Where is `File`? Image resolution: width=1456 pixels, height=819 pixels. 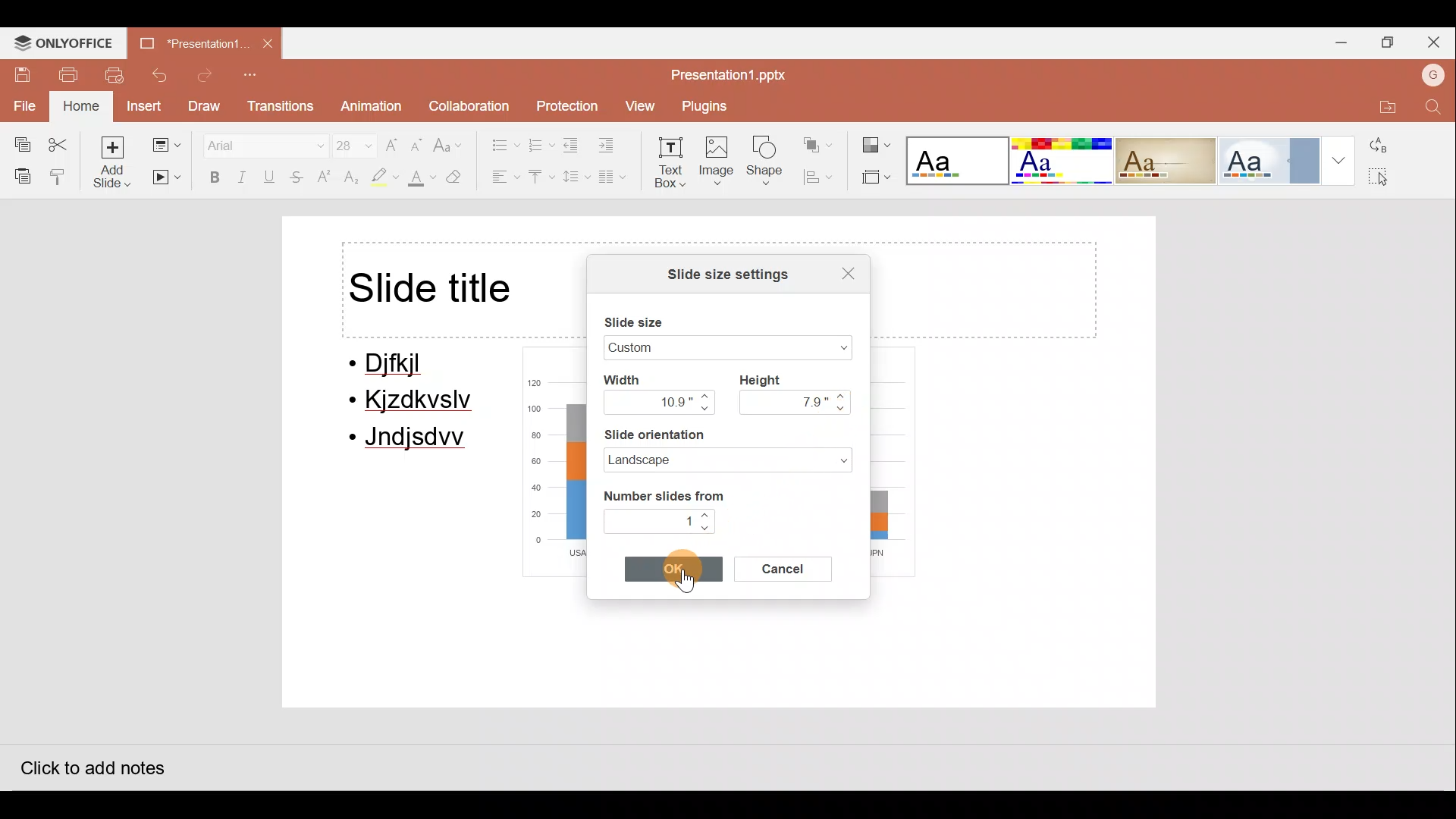
File is located at coordinates (23, 104).